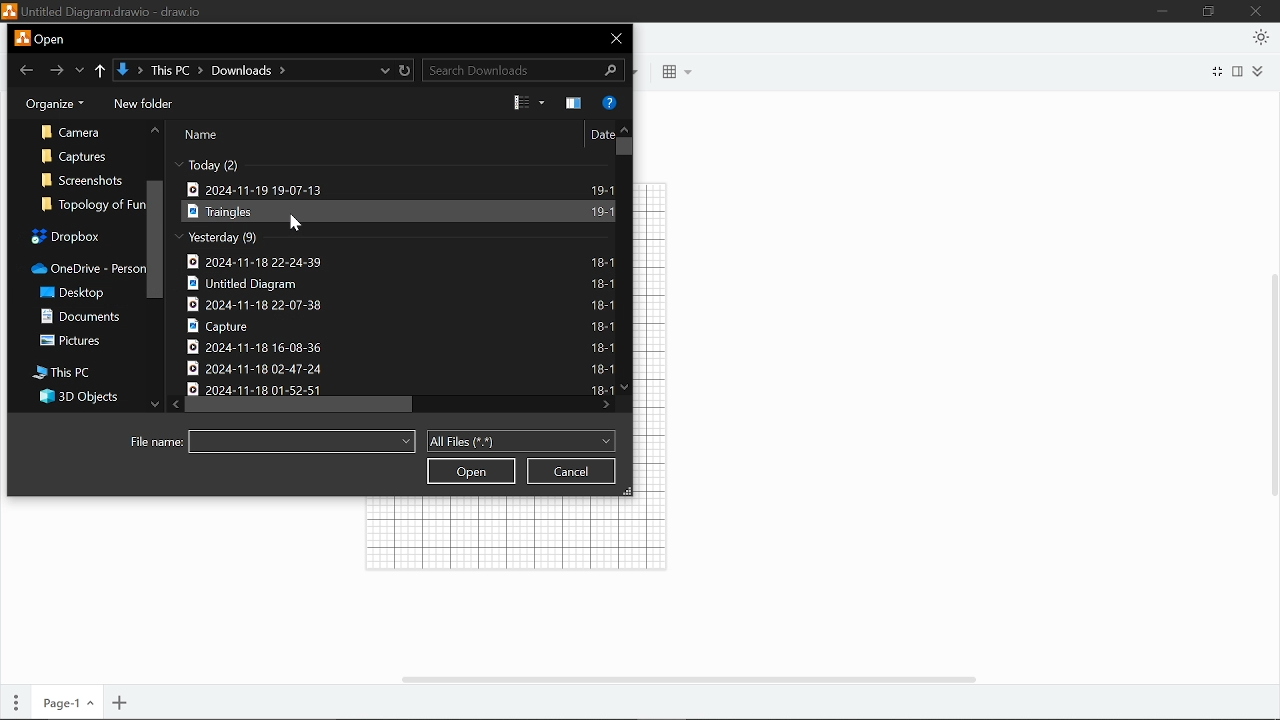 This screenshot has height=720, width=1280. I want to click on 2024-11-18 02-47-24 18-, so click(400, 367).